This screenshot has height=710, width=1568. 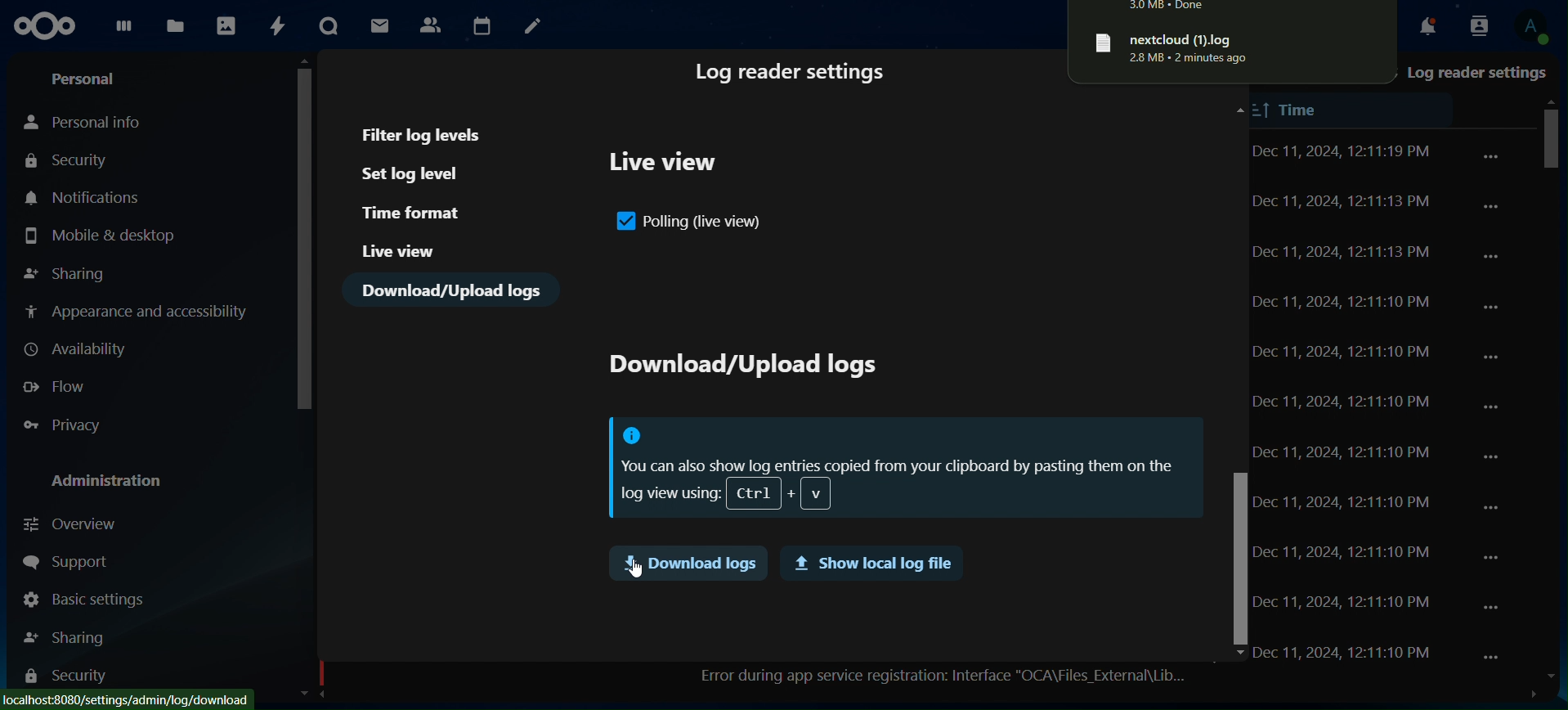 What do you see at coordinates (1490, 556) in the screenshot?
I see `...` at bounding box center [1490, 556].